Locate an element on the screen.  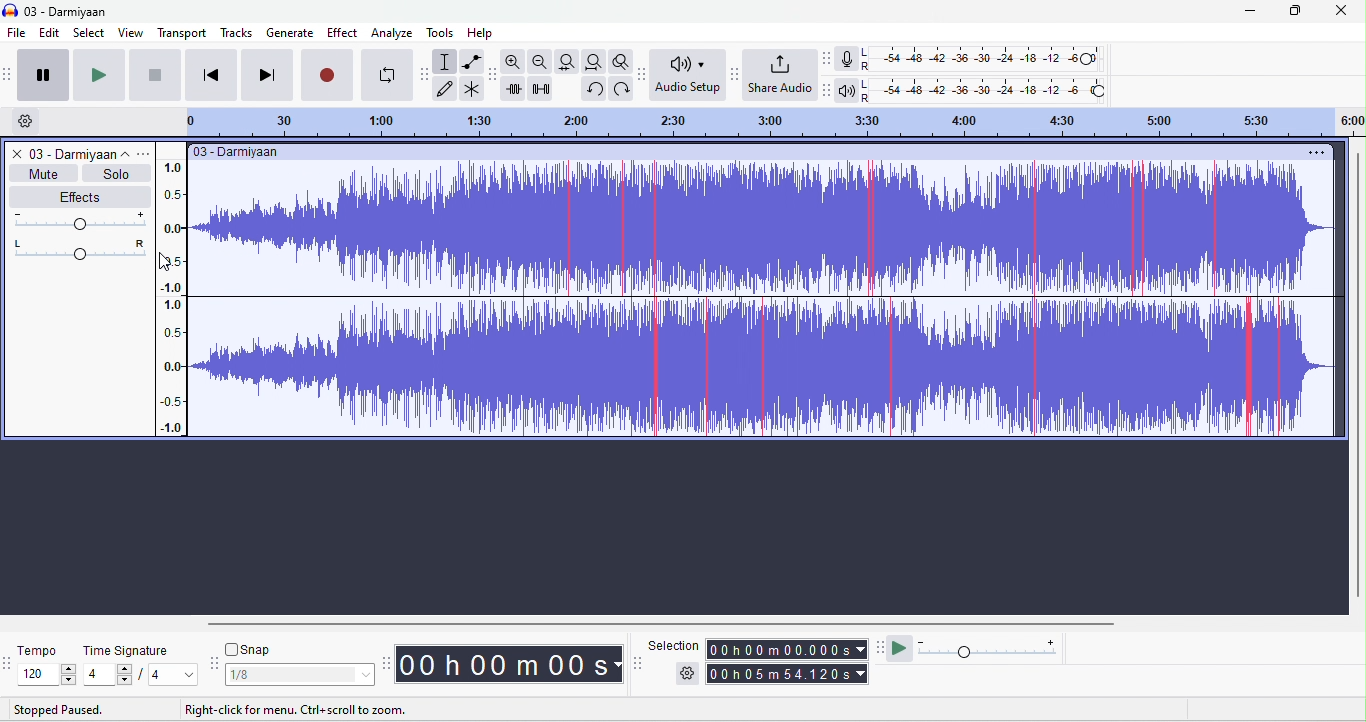
record meter is located at coordinates (847, 59).